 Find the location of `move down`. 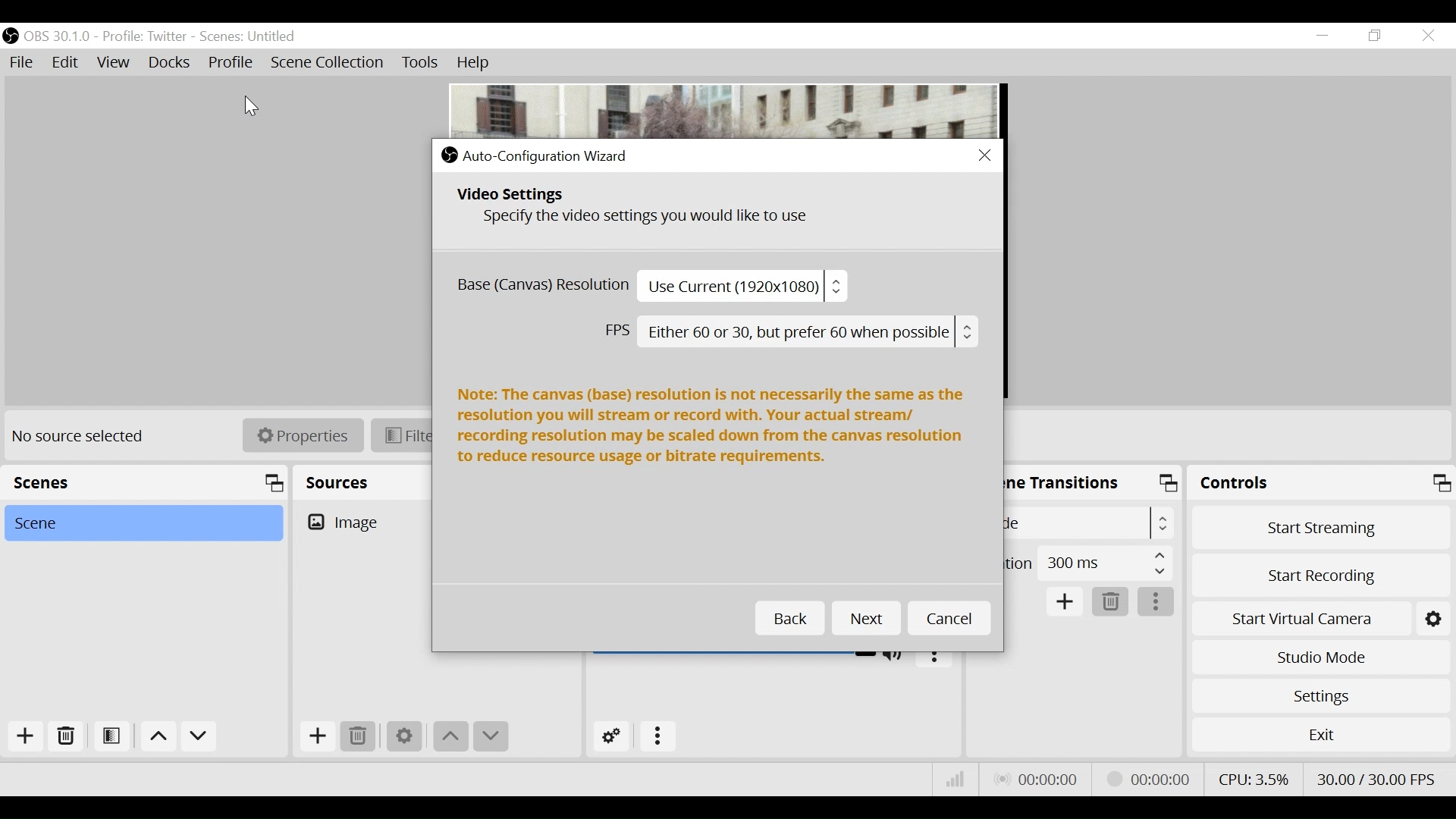

move down is located at coordinates (199, 737).